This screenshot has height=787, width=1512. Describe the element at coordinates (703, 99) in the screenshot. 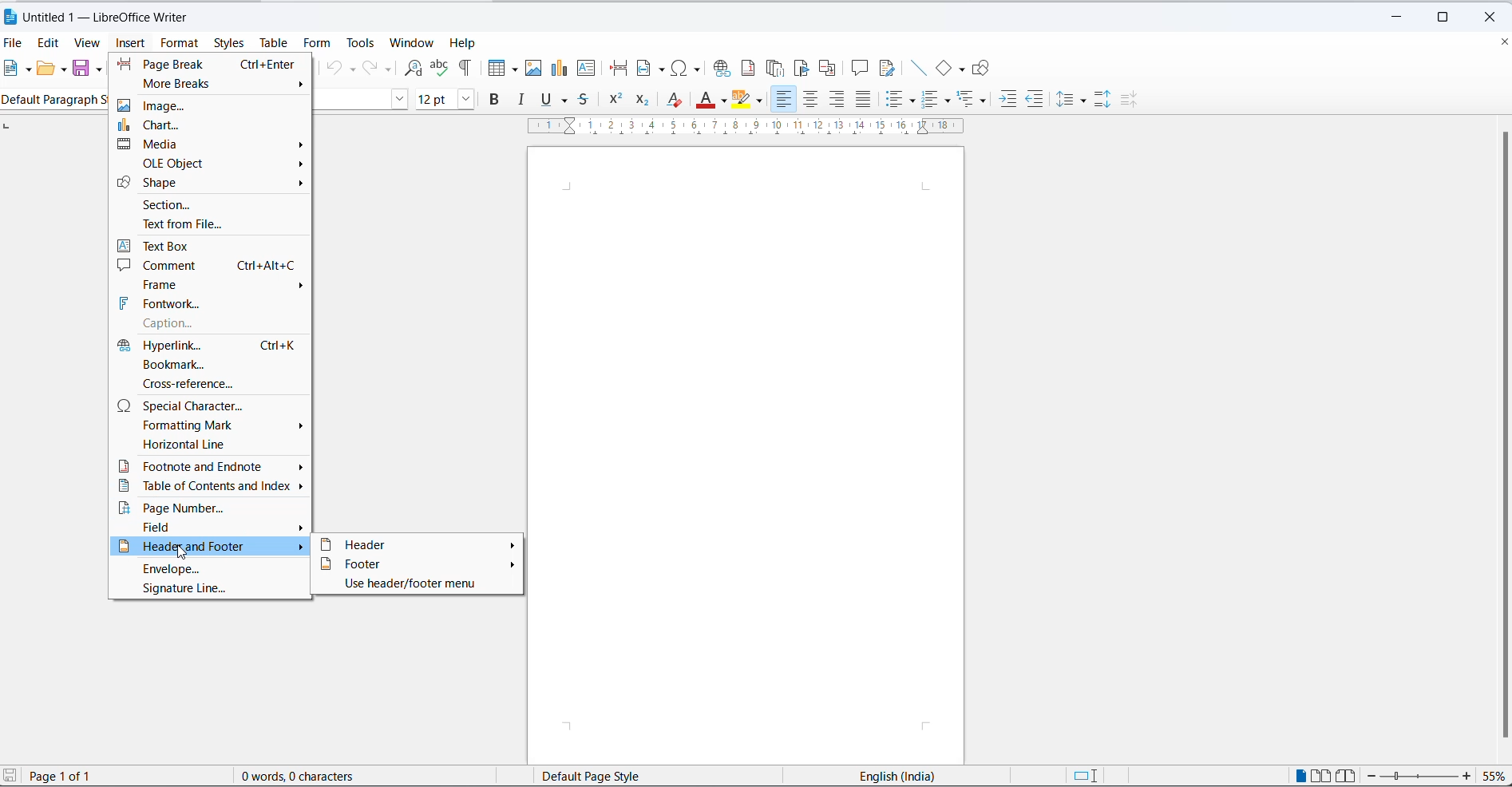

I see `font color` at that location.